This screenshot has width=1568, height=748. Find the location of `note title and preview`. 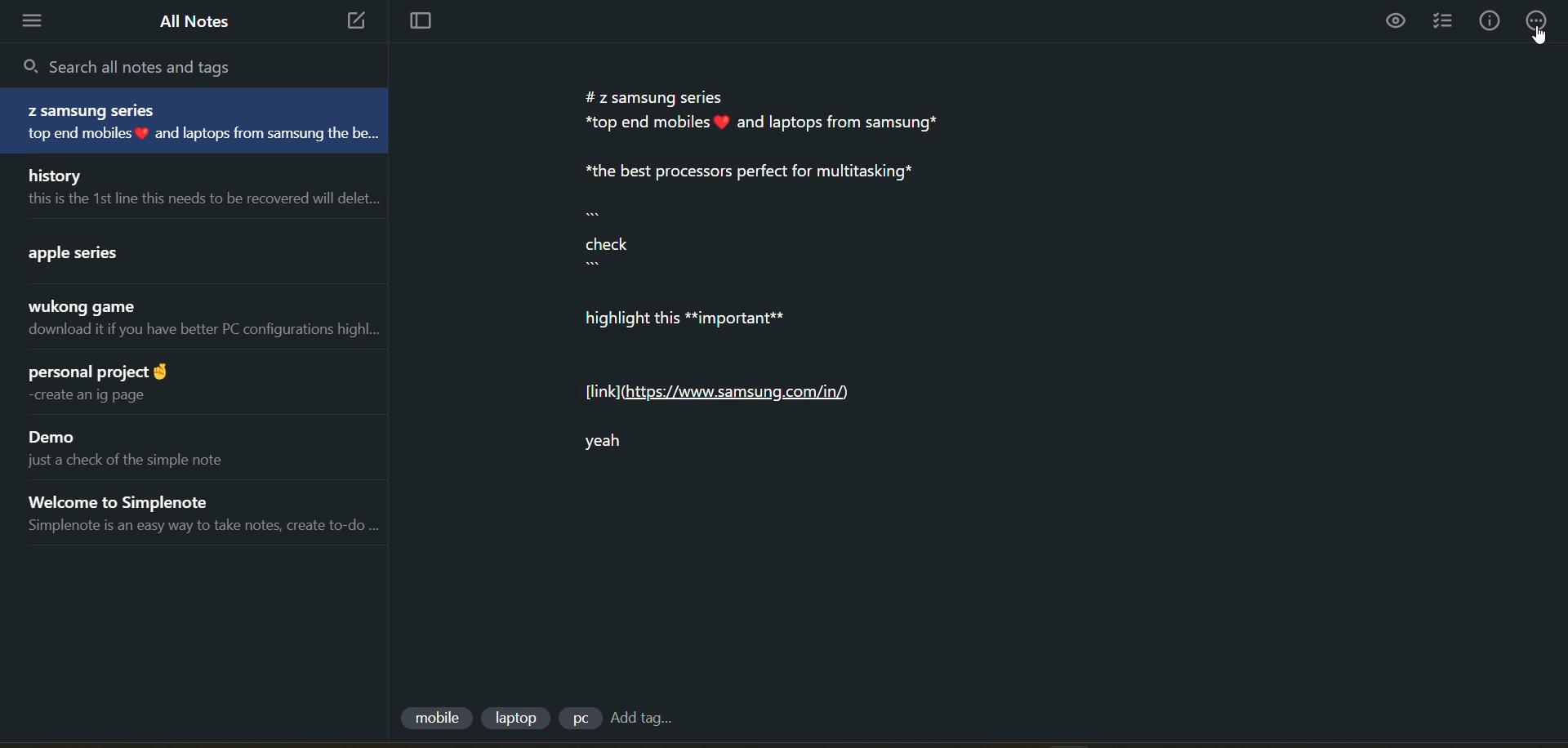

note title and preview is located at coordinates (181, 250).